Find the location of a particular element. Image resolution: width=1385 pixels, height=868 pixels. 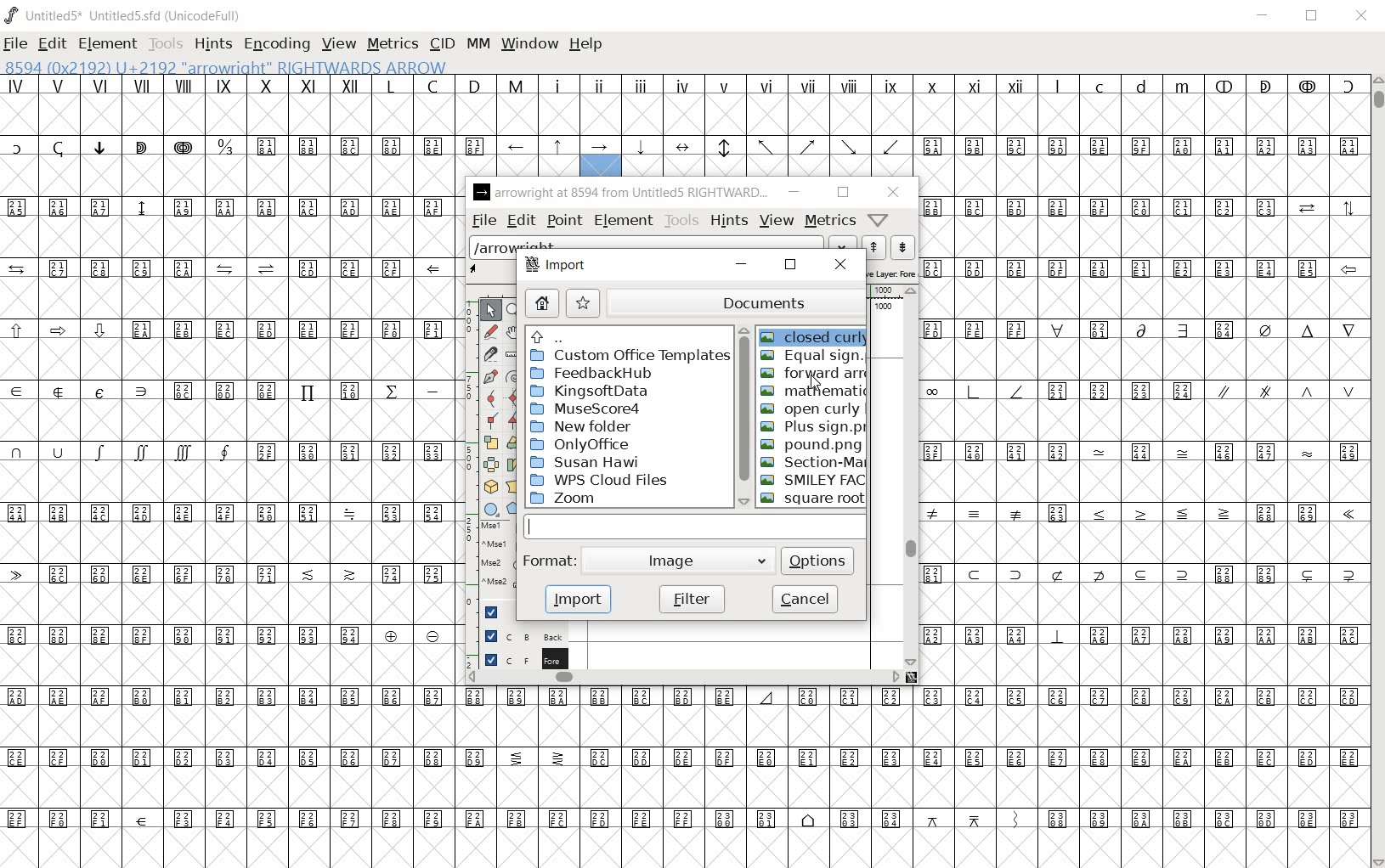

Import is located at coordinates (577, 599).